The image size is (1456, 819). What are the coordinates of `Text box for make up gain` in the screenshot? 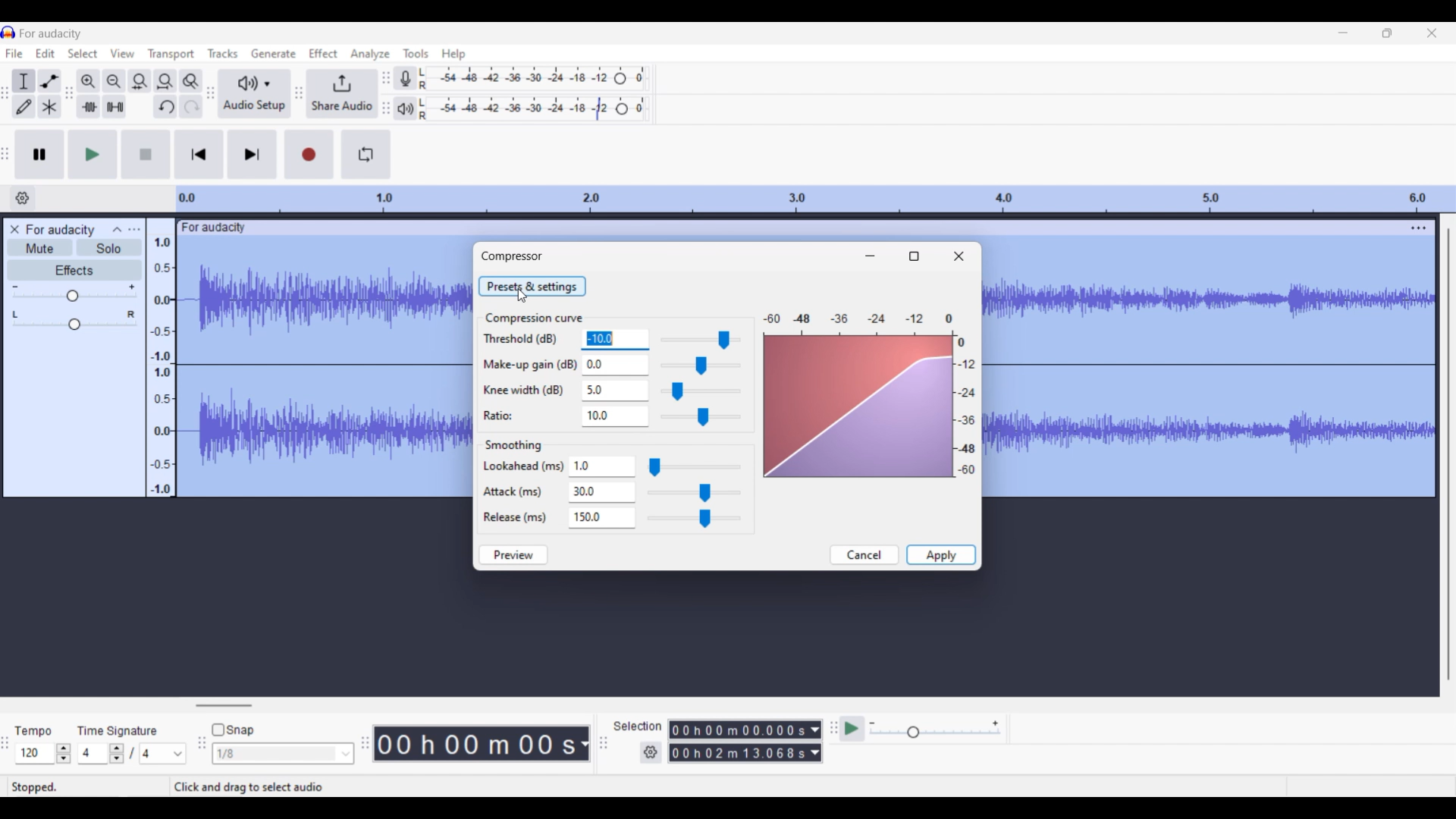 It's located at (613, 365).